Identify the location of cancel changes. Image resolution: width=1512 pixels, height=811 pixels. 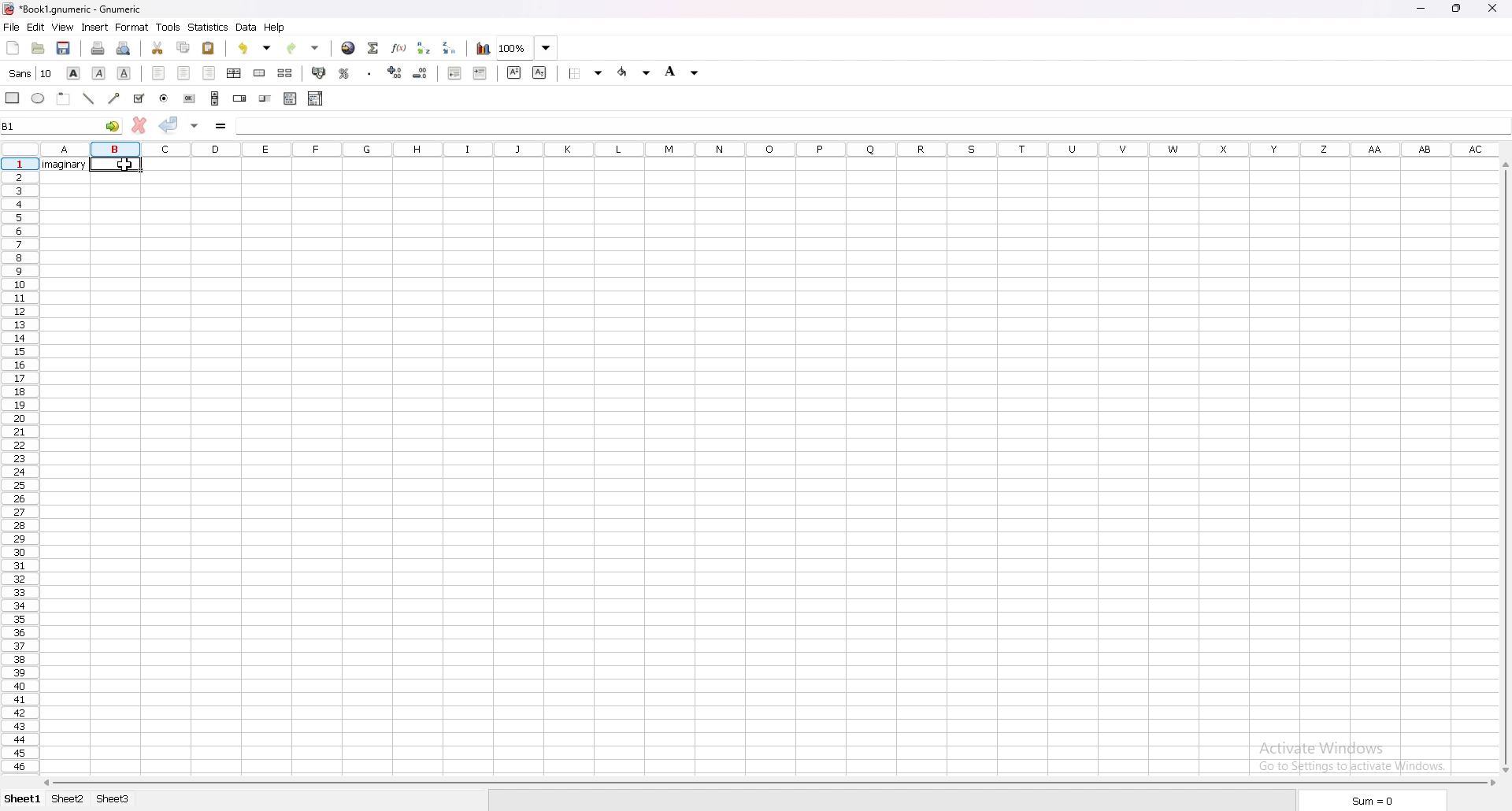
(139, 125).